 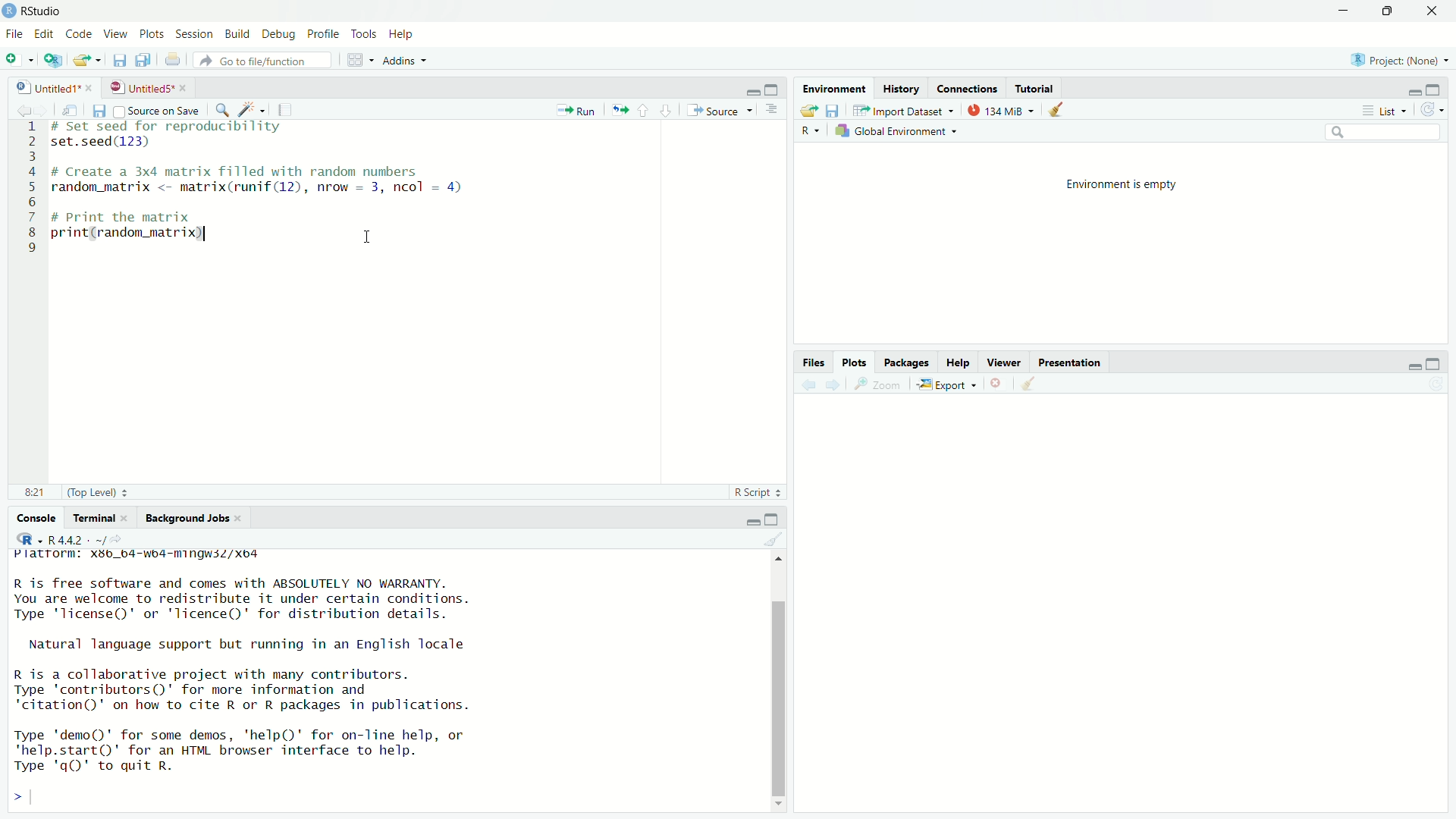 What do you see at coordinates (1436, 111) in the screenshot?
I see `refresh` at bounding box center [1436, 111].